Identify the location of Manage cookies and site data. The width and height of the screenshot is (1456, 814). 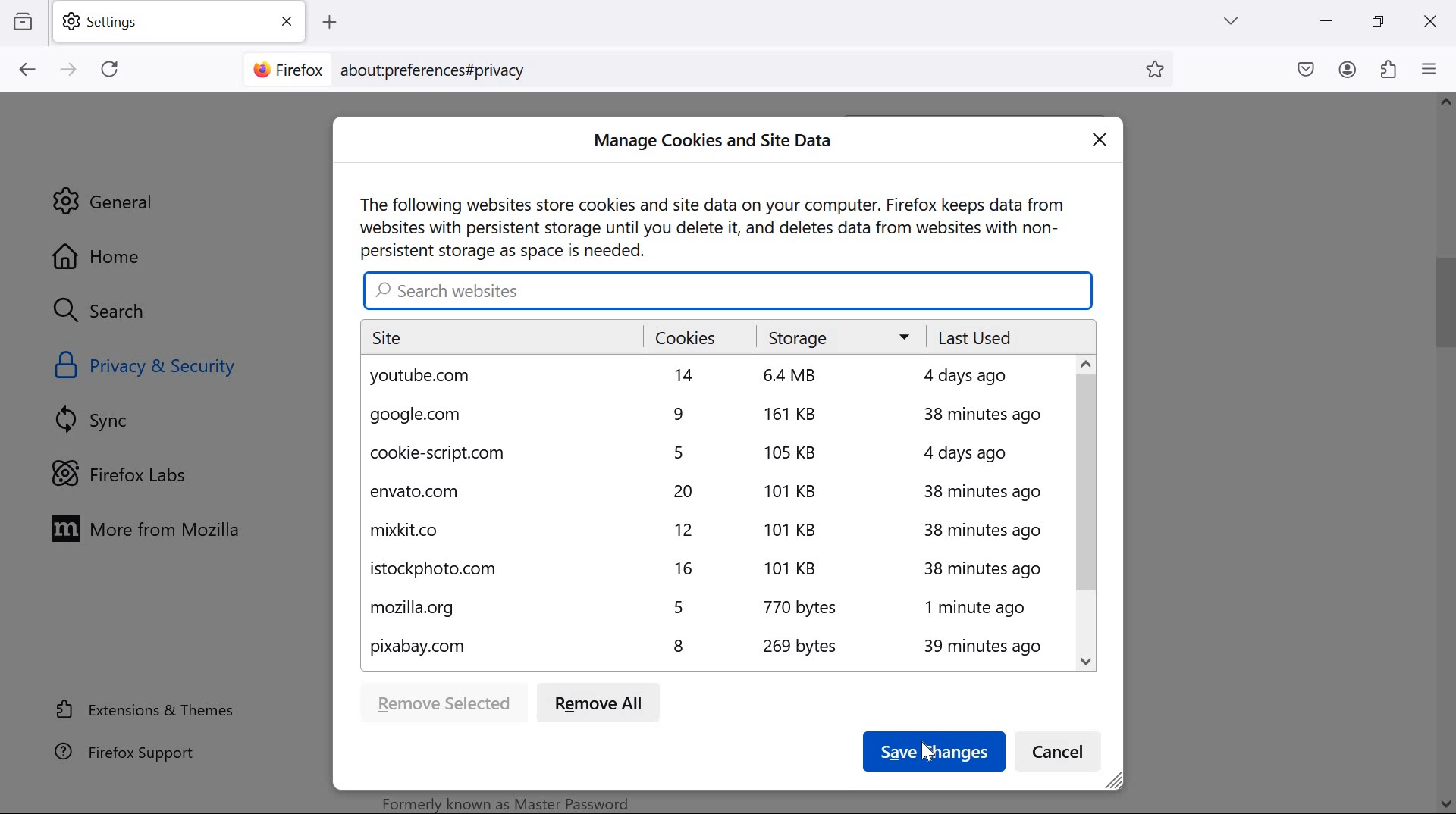
(717, 142).